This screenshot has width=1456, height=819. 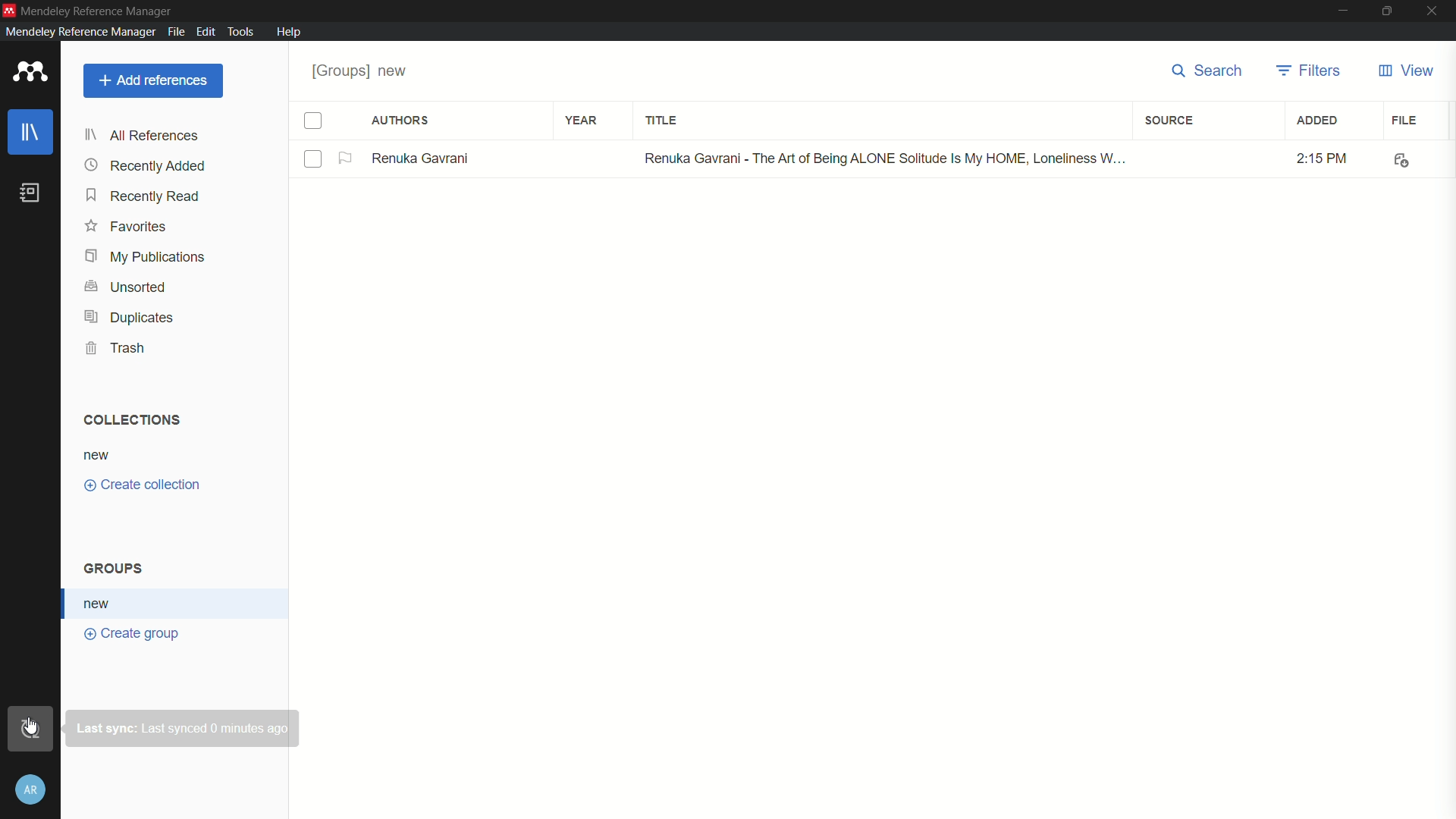 What do you see at coordinates (1405, 71) in the screenshot?
I see `view` at bounding box center [1405, 71].